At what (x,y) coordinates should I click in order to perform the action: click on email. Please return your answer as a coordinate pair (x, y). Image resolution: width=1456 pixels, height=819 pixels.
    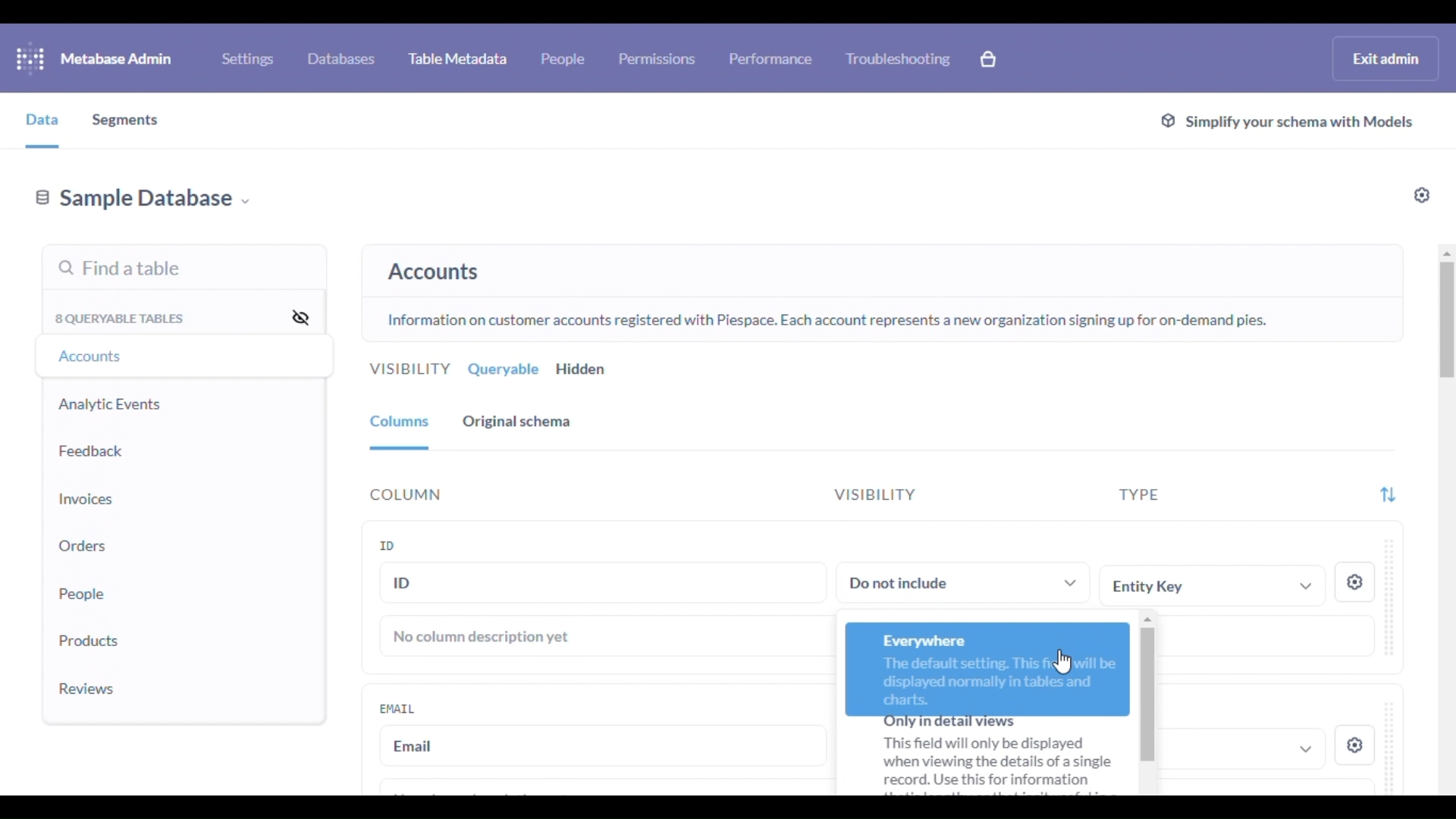
    Looking at the image, I should click on (604, 746).